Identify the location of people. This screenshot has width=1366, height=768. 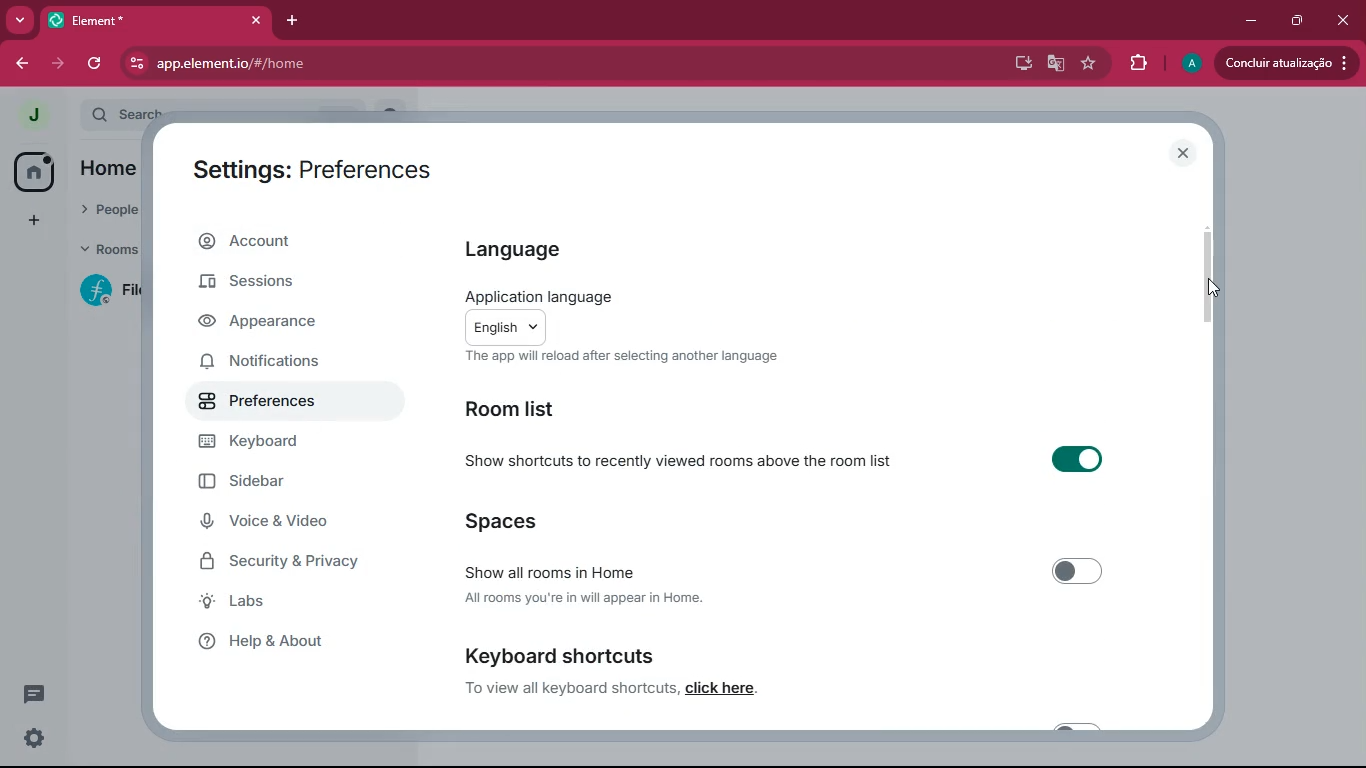
(108, 211).